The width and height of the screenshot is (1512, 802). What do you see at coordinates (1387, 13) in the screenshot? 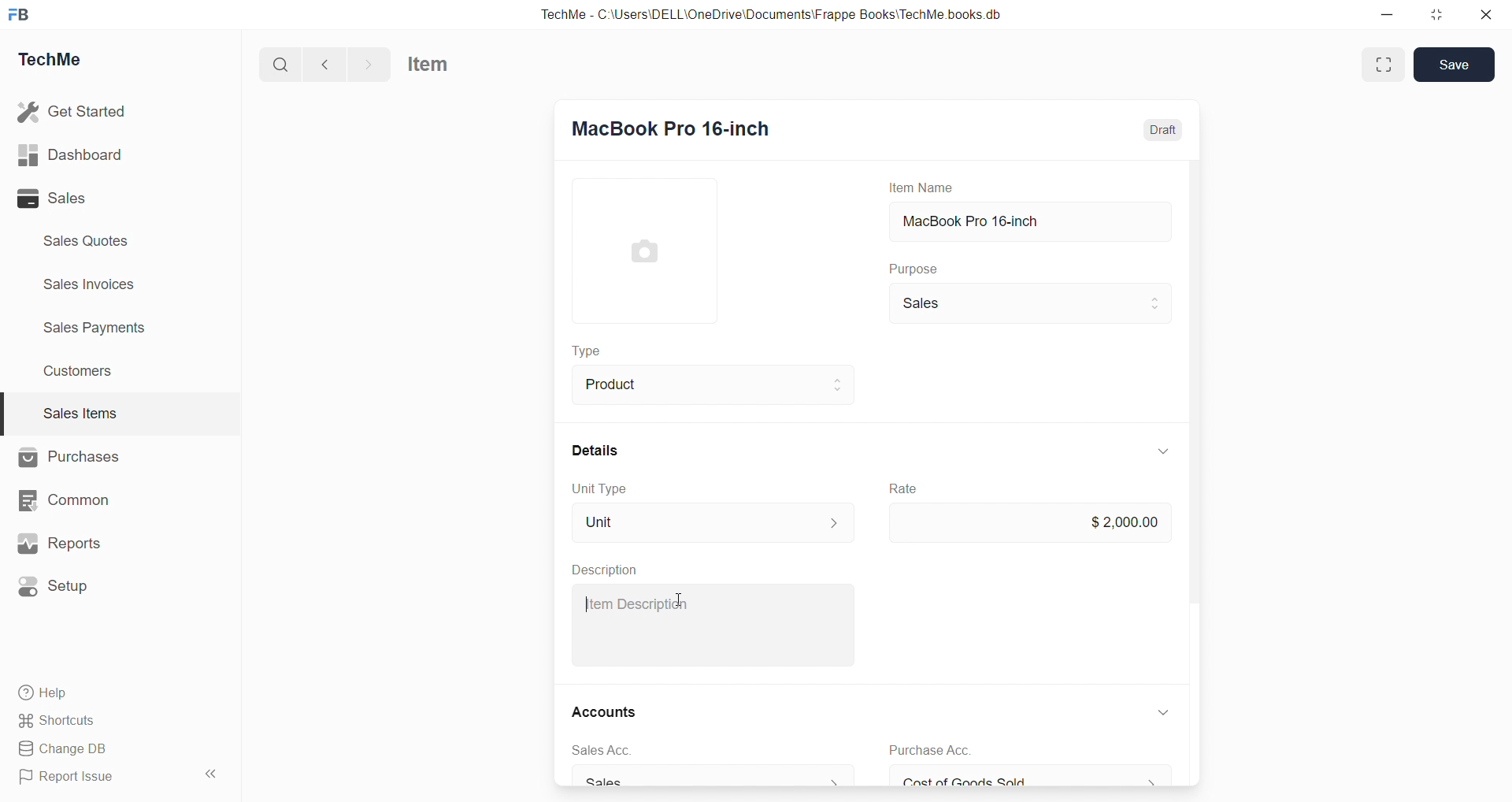
I see `minimize` at bounding box center [1387, 13].